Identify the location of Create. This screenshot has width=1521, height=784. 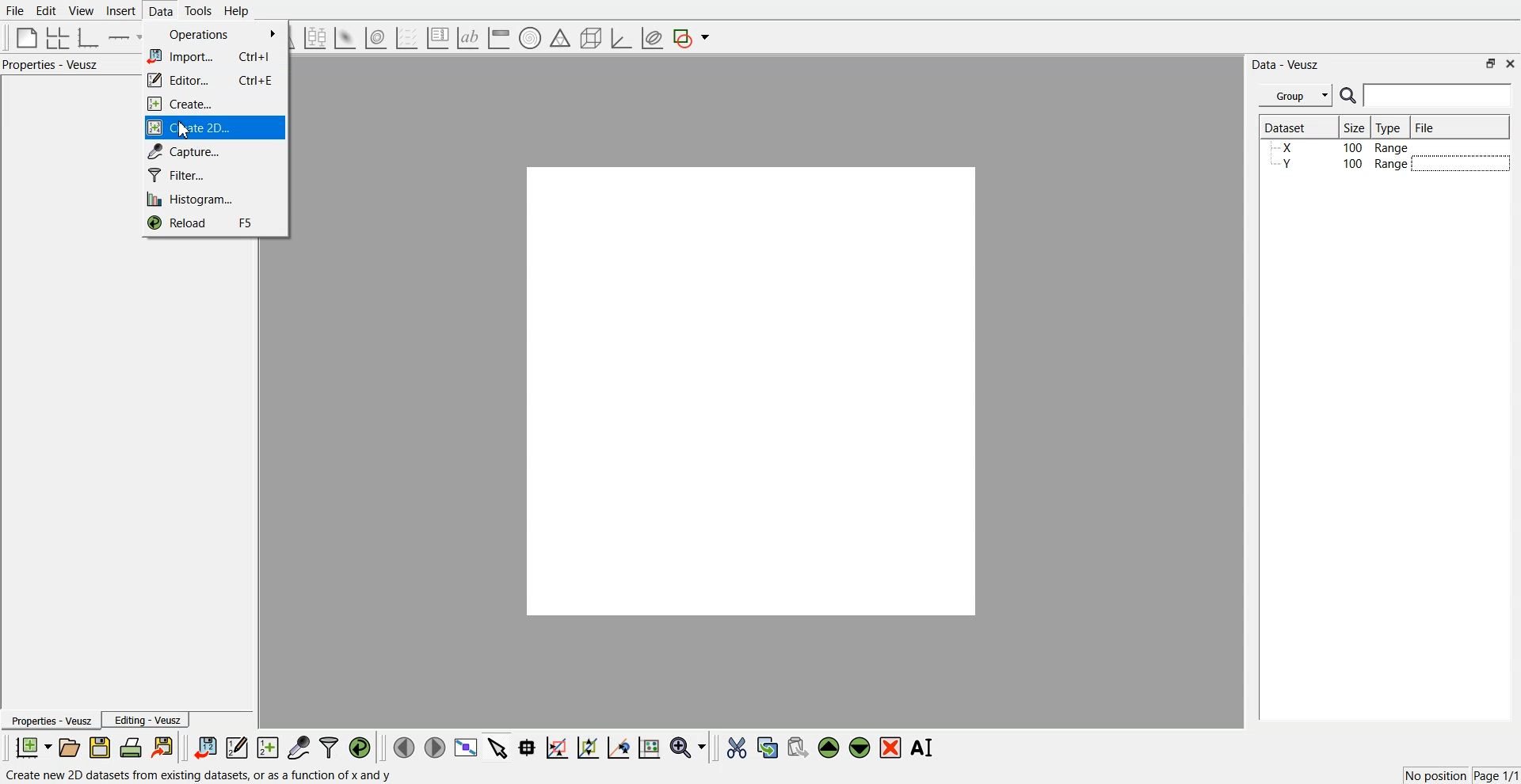
(214, 104).